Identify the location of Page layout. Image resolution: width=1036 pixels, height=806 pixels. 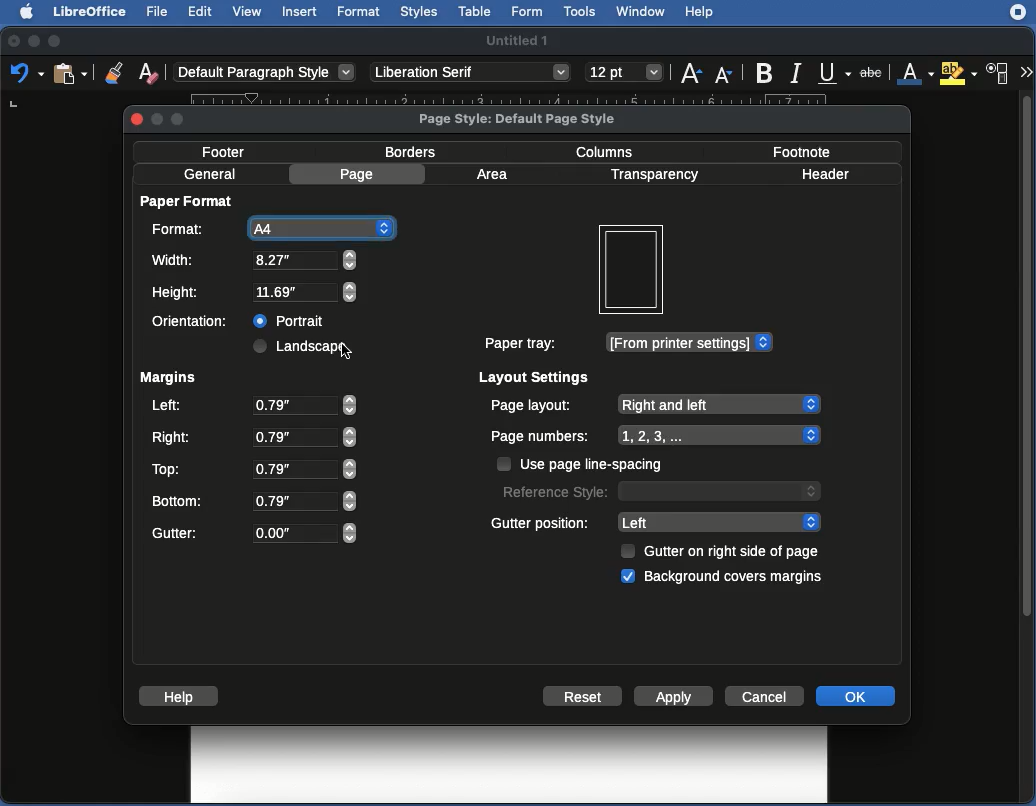
(655, 405).